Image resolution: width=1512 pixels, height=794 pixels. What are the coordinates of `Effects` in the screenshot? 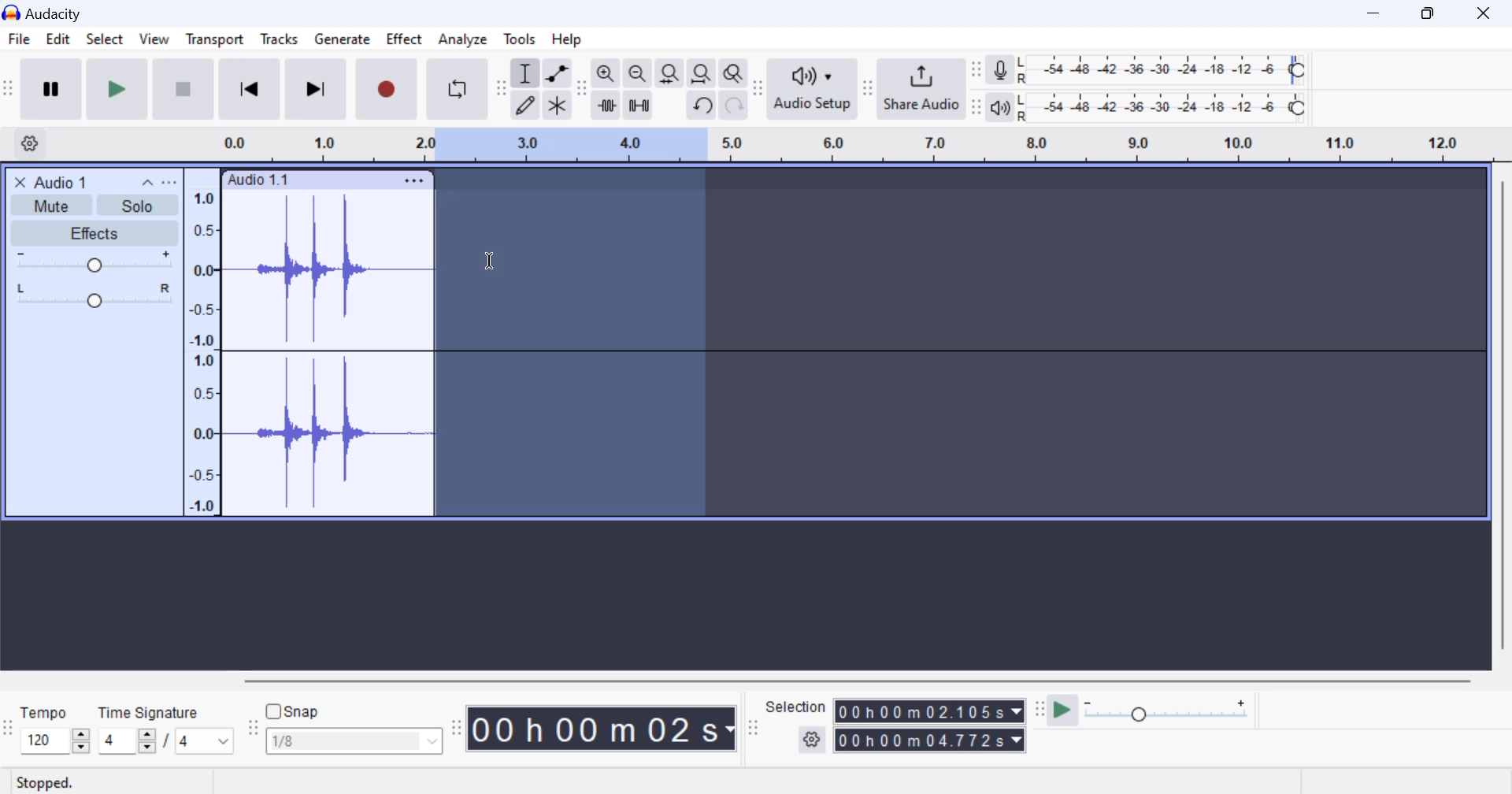 It's located at (93, 233).